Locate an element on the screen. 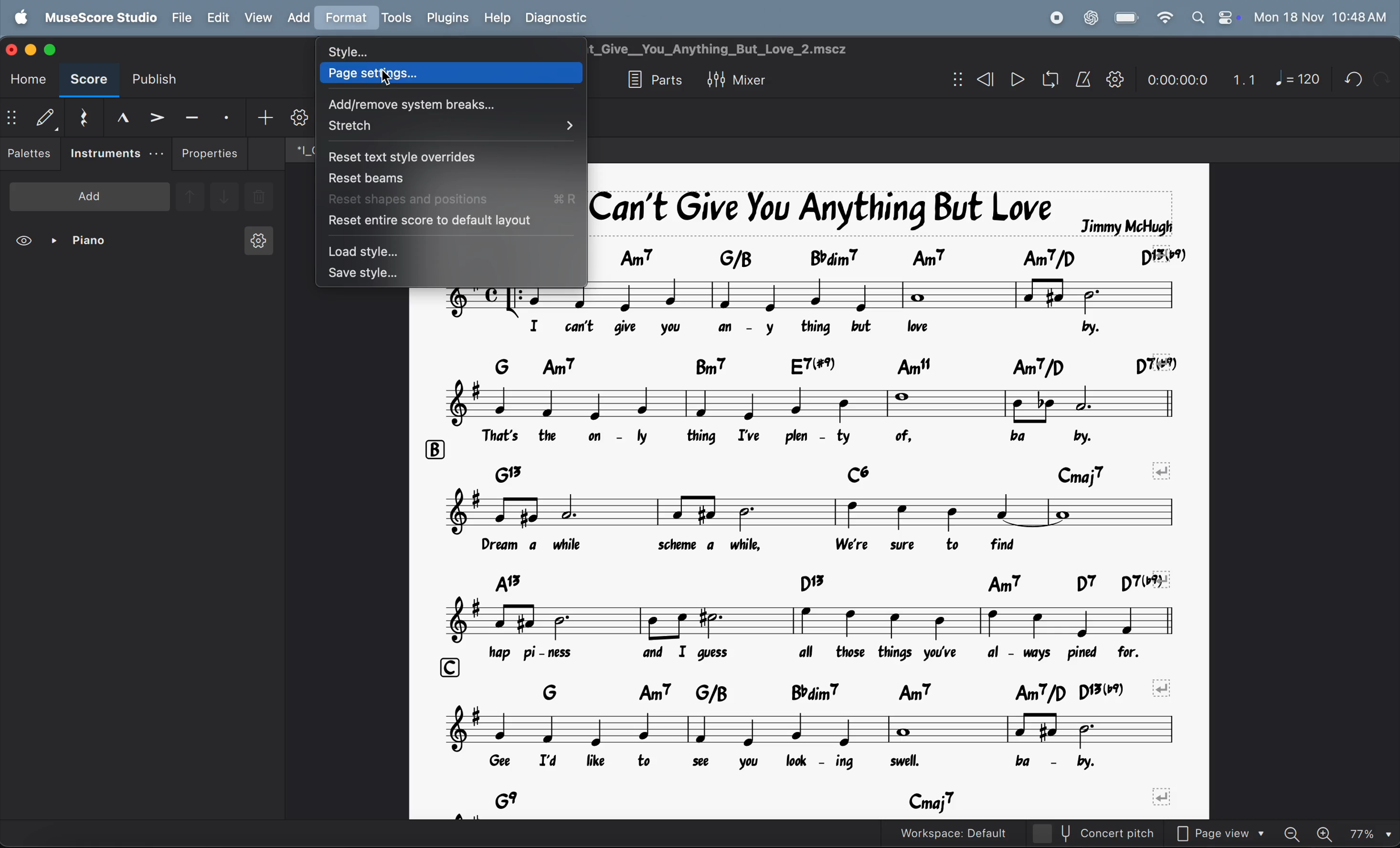 Image resolution: width=1400 pixels, height=848 pixels. minimize is located at coordinates (33, 48).